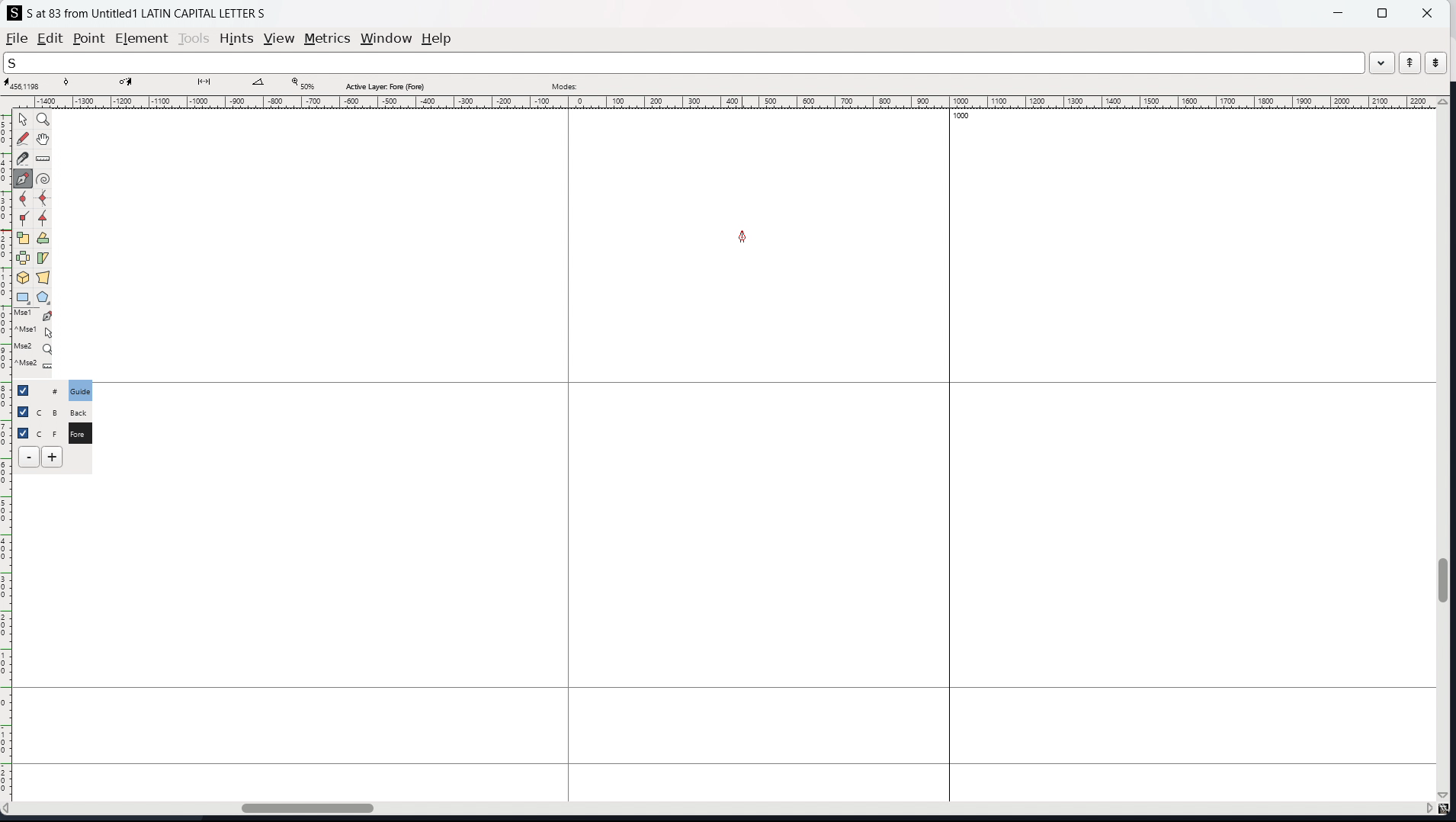  What do you see at coordinates (204, 84) in the screenshot?
I see `distance between points` at bounding box center [204, 84].